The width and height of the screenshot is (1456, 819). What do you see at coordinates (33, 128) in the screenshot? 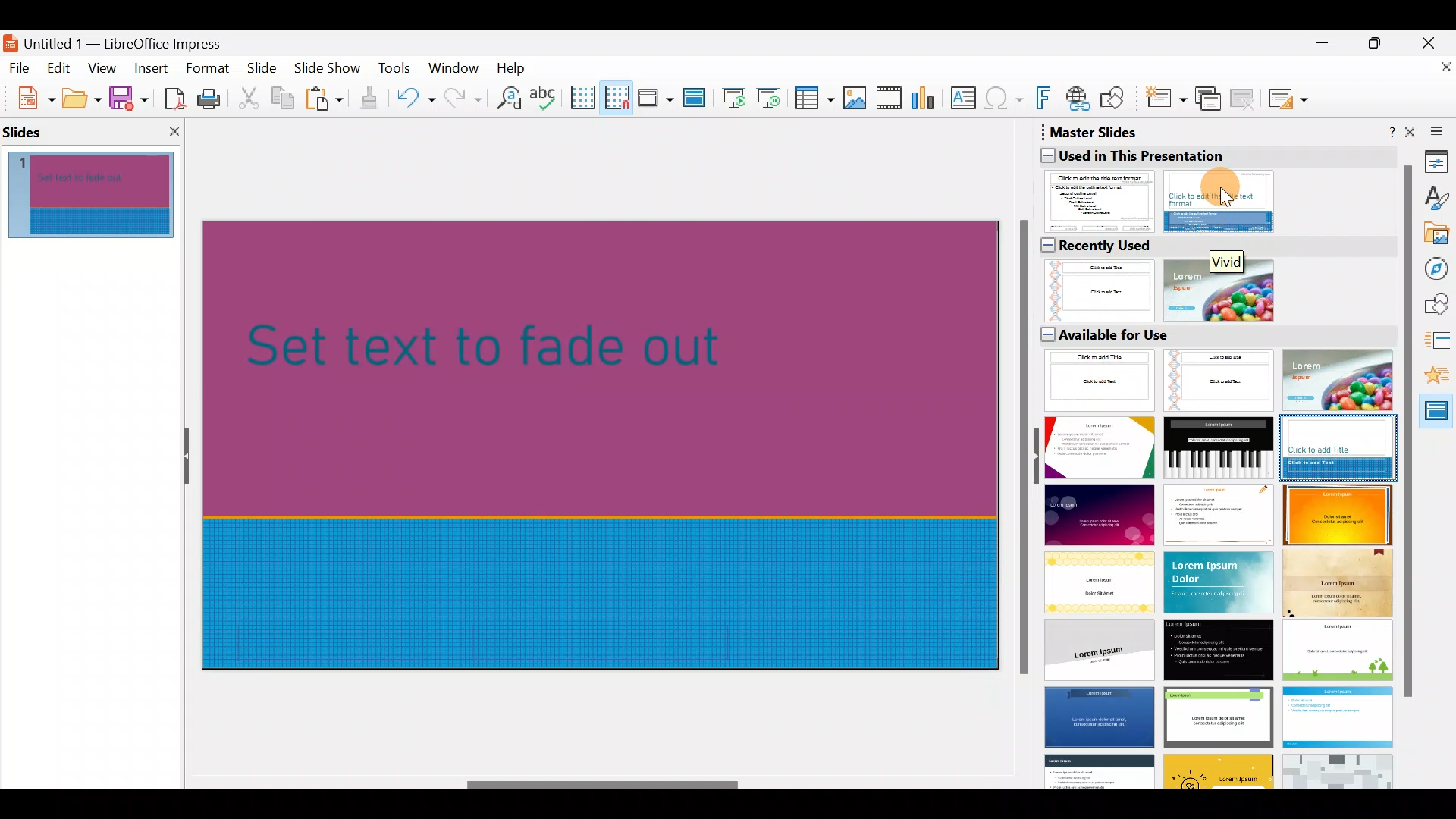
I see `slides` at bounding box center [33, 128].